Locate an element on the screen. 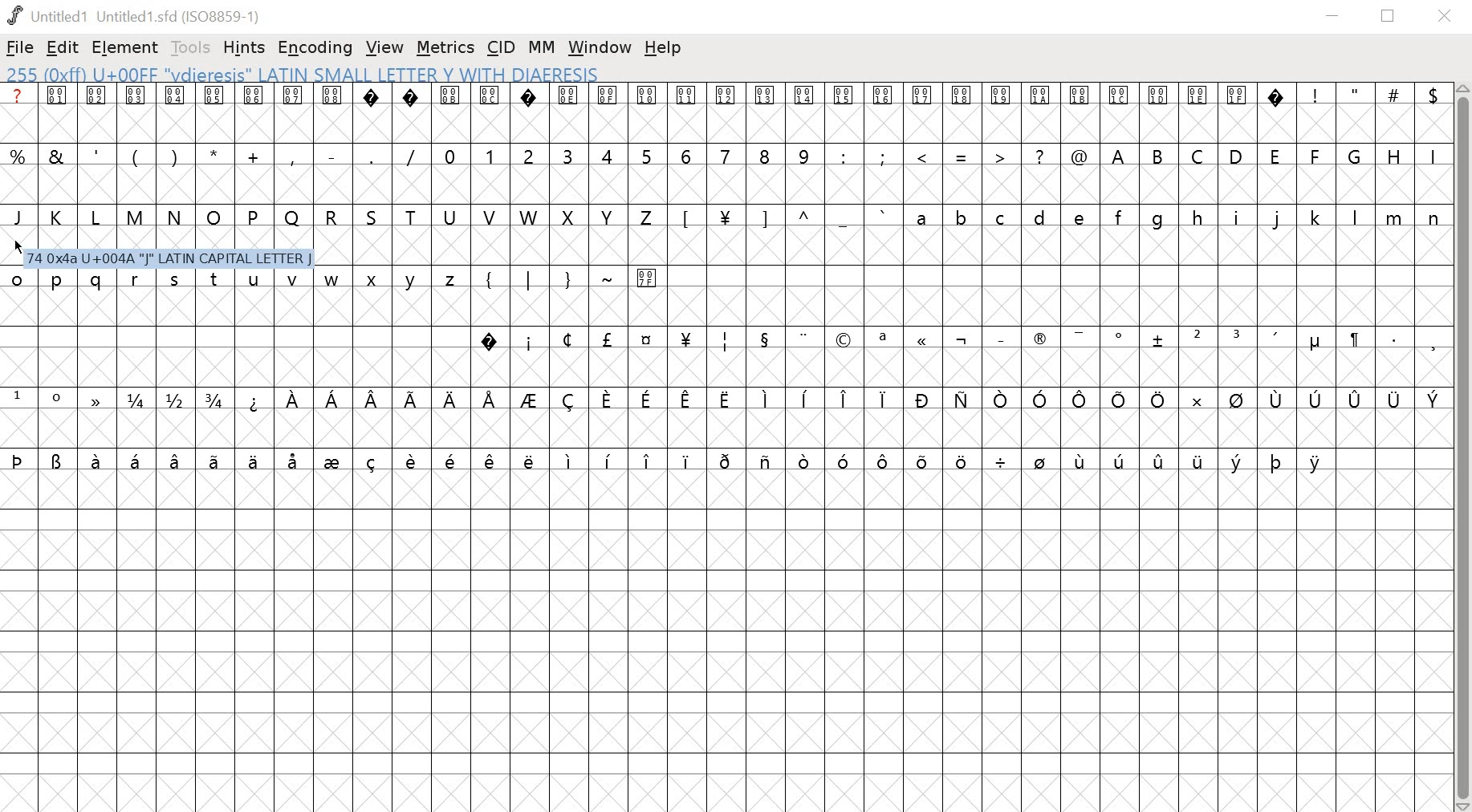  lower case letter is located at coordinates (1176, 217).